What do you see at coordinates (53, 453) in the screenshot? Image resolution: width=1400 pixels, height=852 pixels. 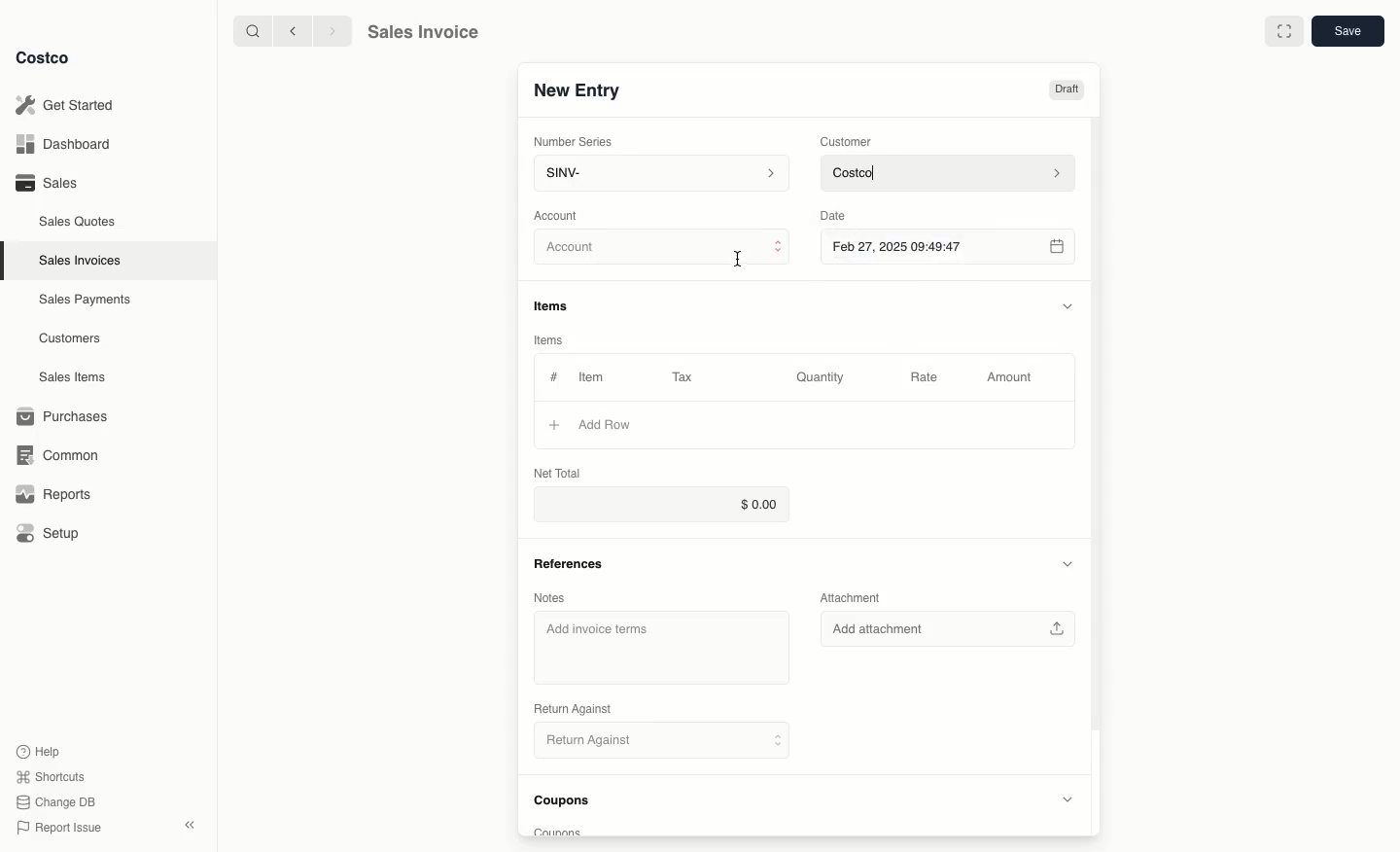 I see `Common` at bounding box center [53, 453].